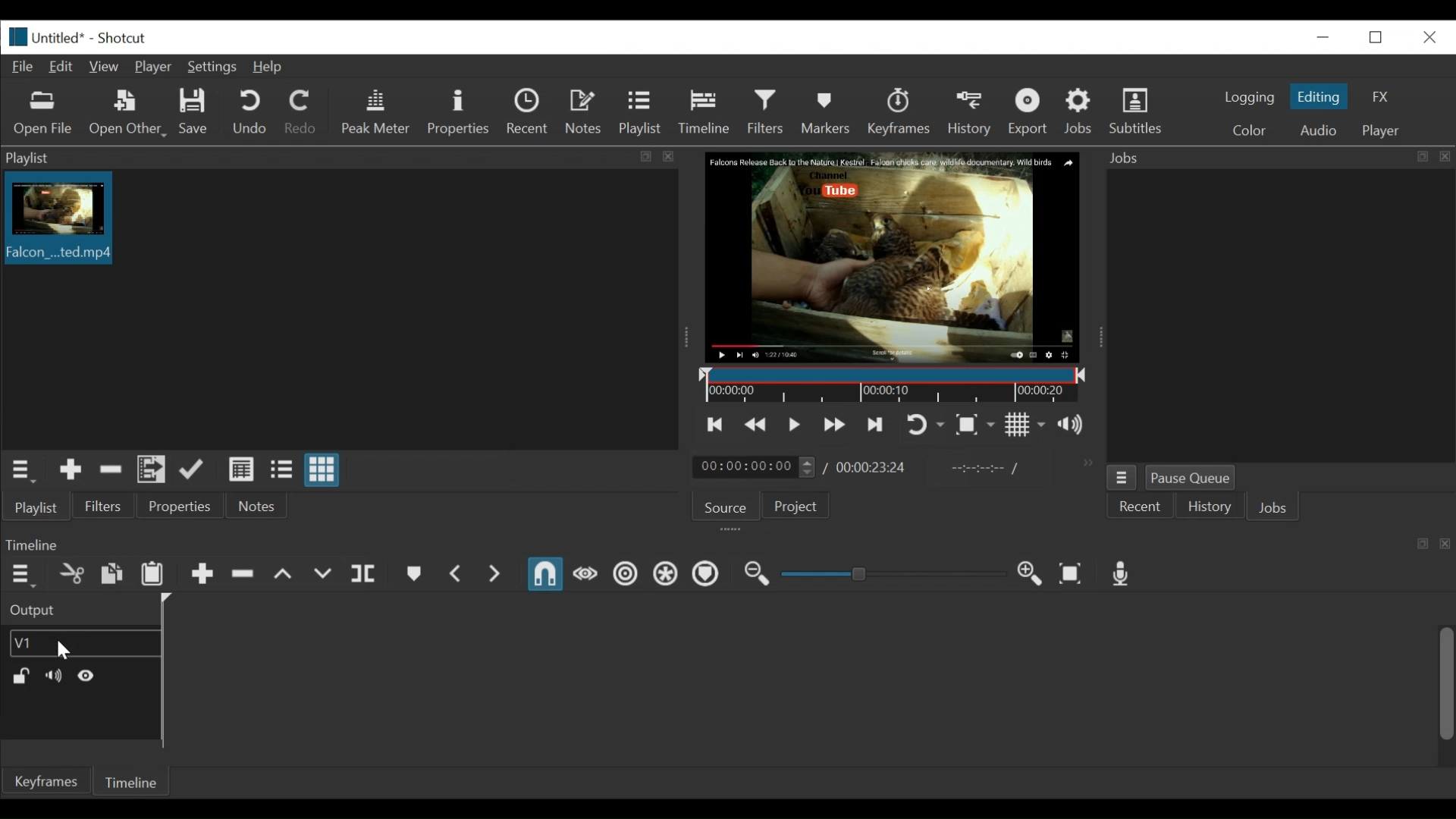 The width and height of the screenshot is (1456, 819). What do you see at coordinates (70, 471) in the screenshot?
I see `Add Source the playlist` at bounding box center [70, 471].